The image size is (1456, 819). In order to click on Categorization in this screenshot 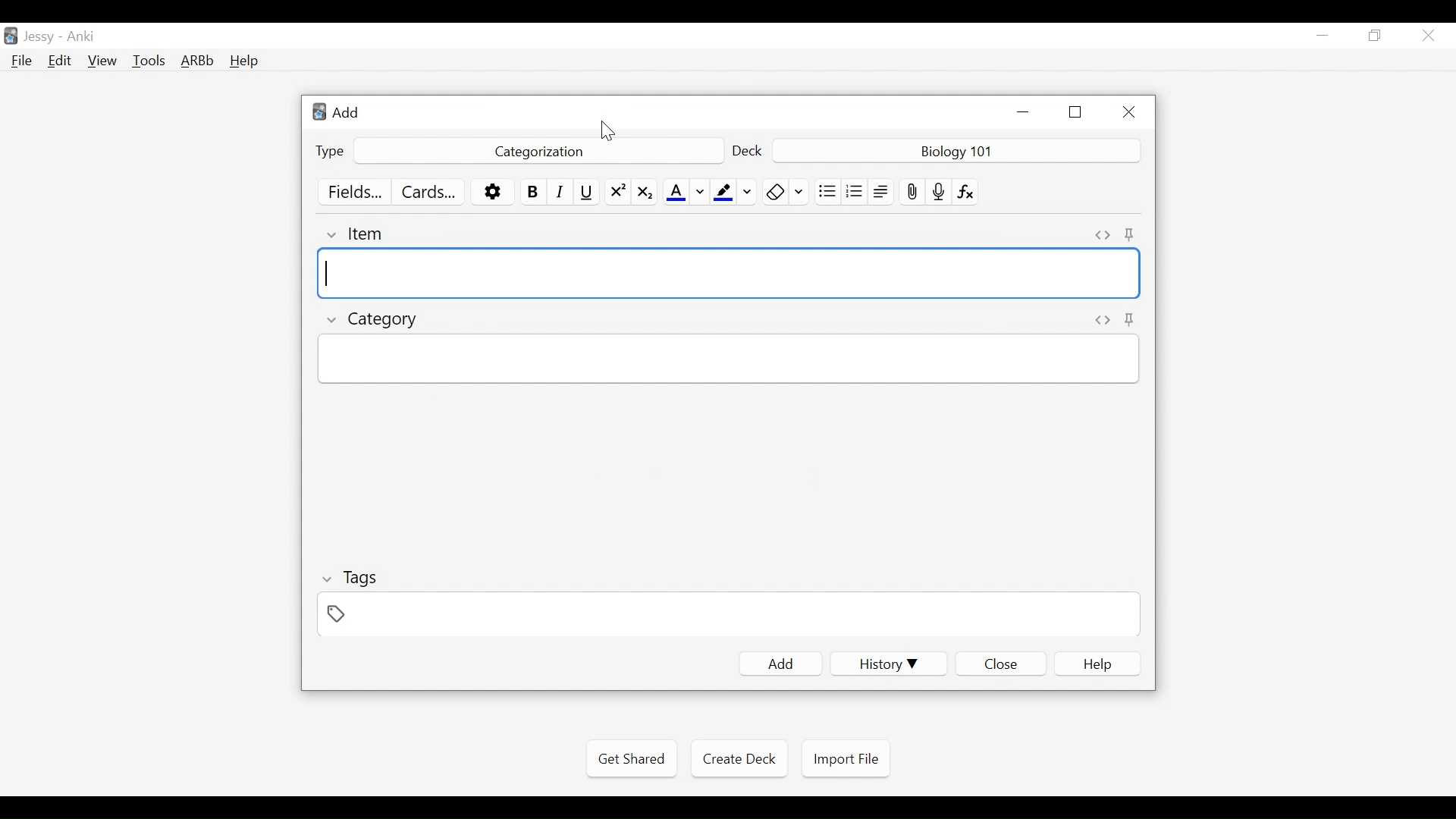, I will do `click(536, 152)`.